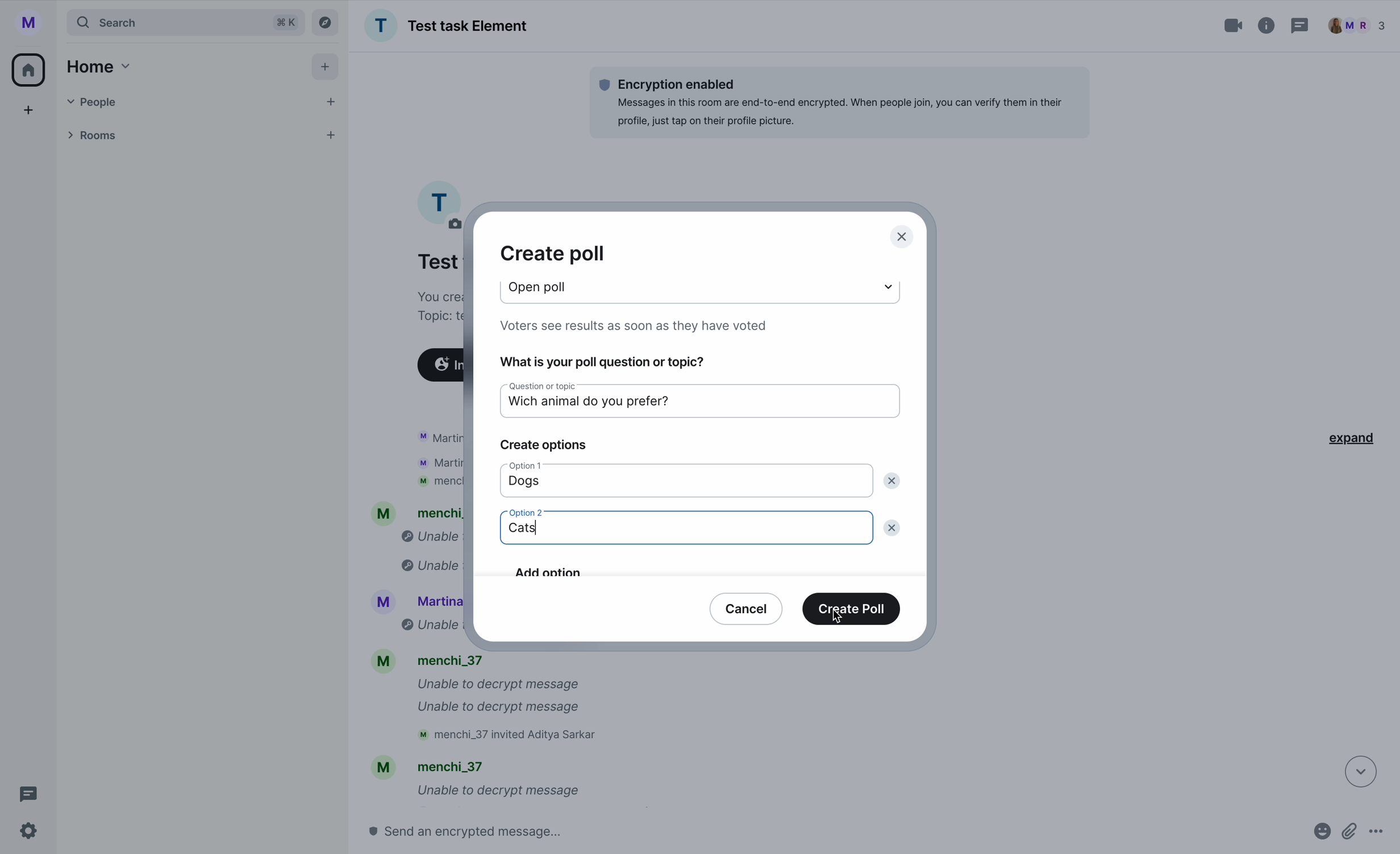 The width and height of the screenshot is (1400, 854). Describe the element at coordinates (549, 445) in the screenshot. I see `create options` at that location.